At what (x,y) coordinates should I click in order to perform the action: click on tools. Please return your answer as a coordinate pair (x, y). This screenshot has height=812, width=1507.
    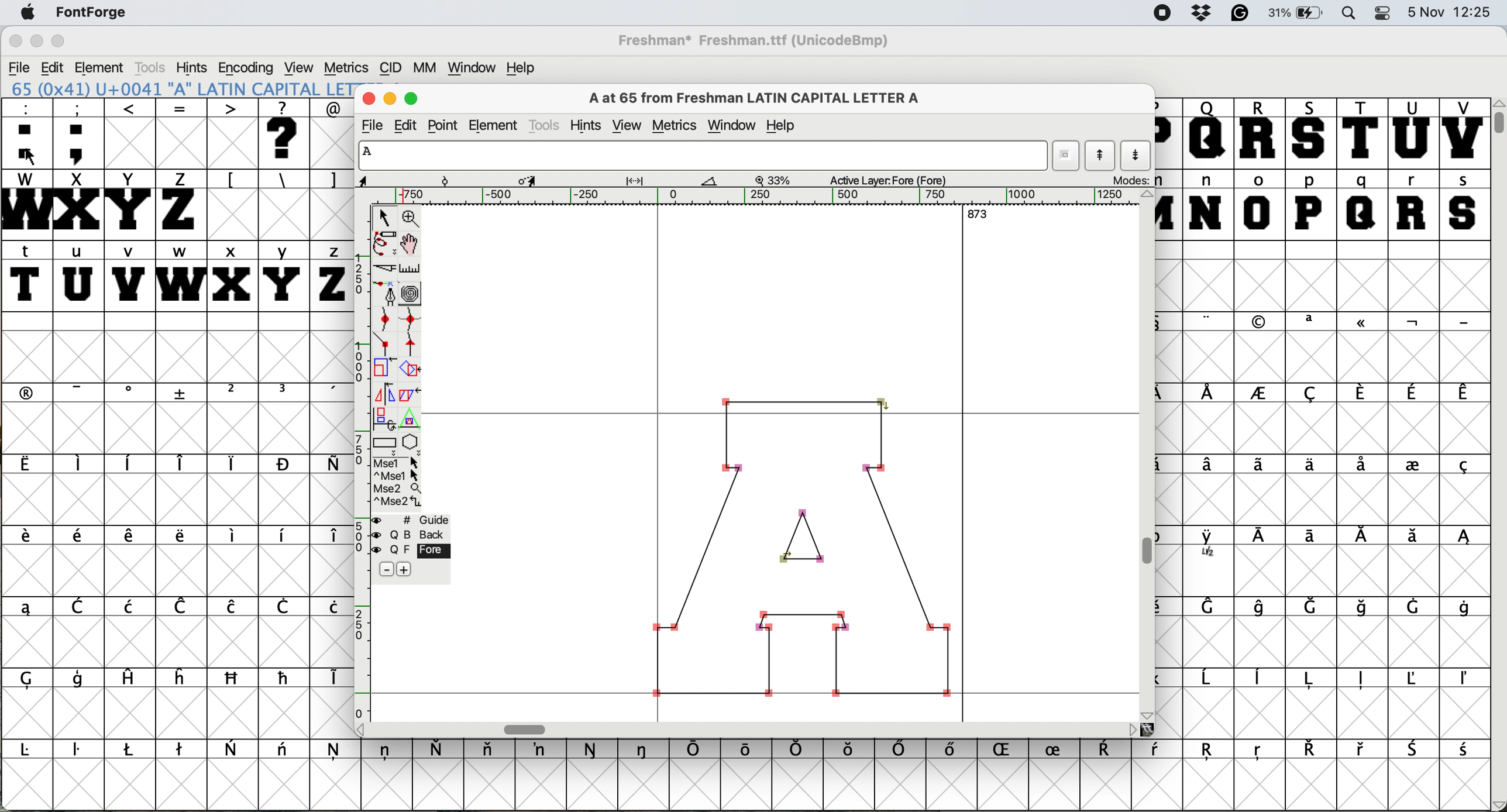
    Looking at the image, I should click on (546, 125).